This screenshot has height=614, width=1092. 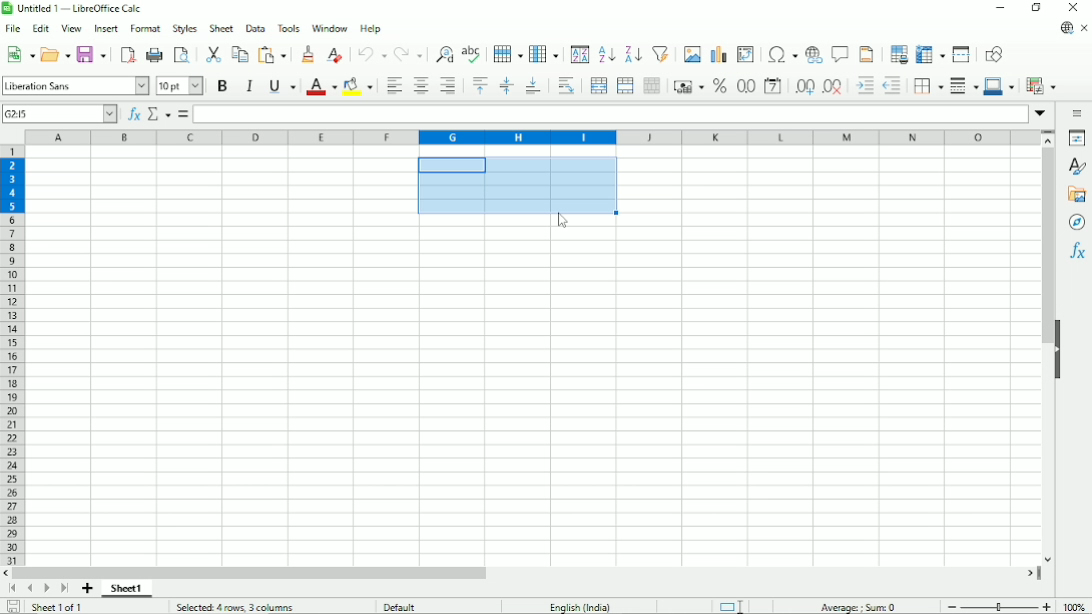 What do you see at coordinates (840, 53) in the screenshot?
I see `Insert comment` at bounding box center [840, 53].